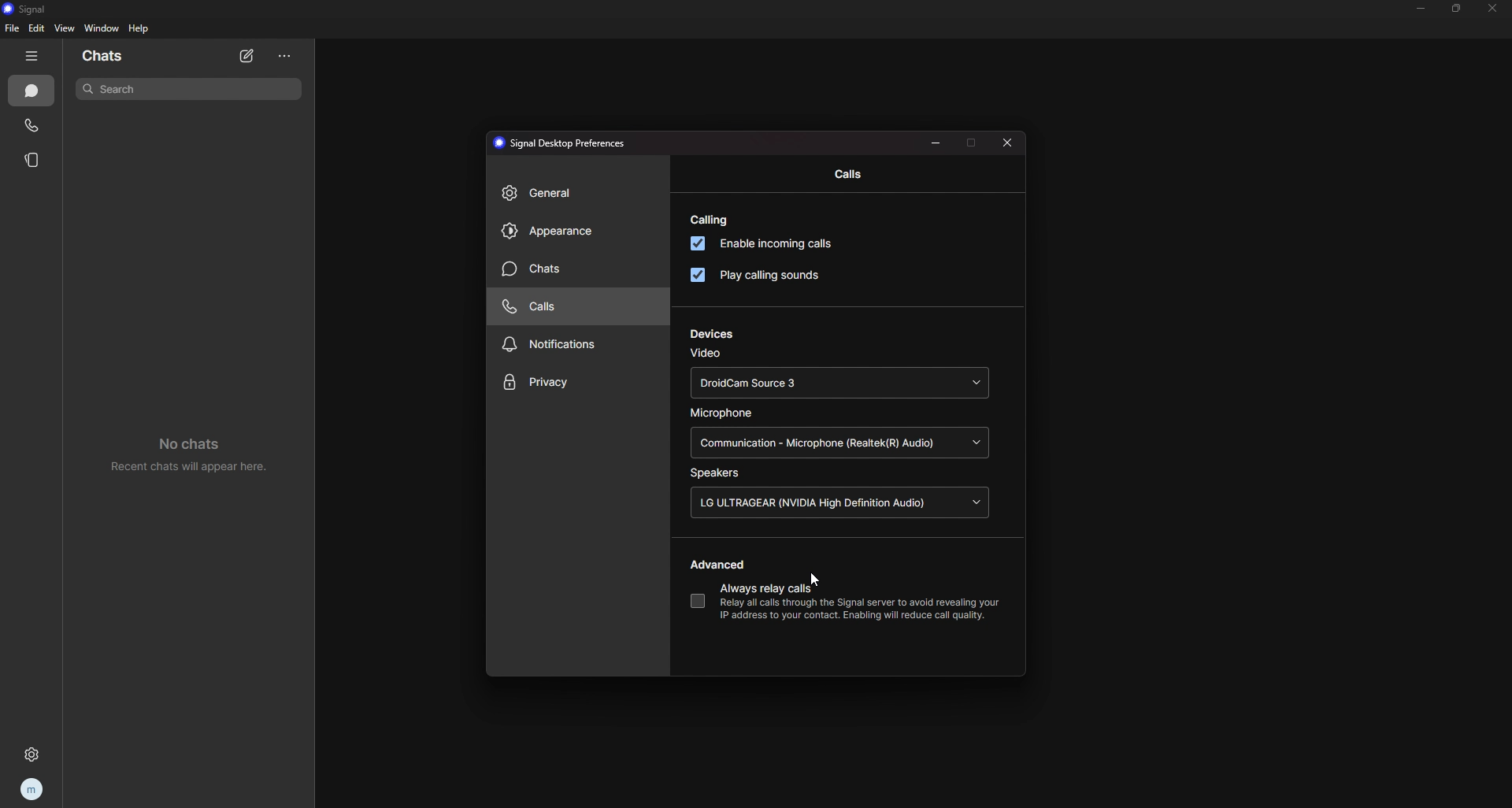  What do you see at coordinates (1494, 9) in the screenshot?
I see `close` at bounding box center [1494, 9].